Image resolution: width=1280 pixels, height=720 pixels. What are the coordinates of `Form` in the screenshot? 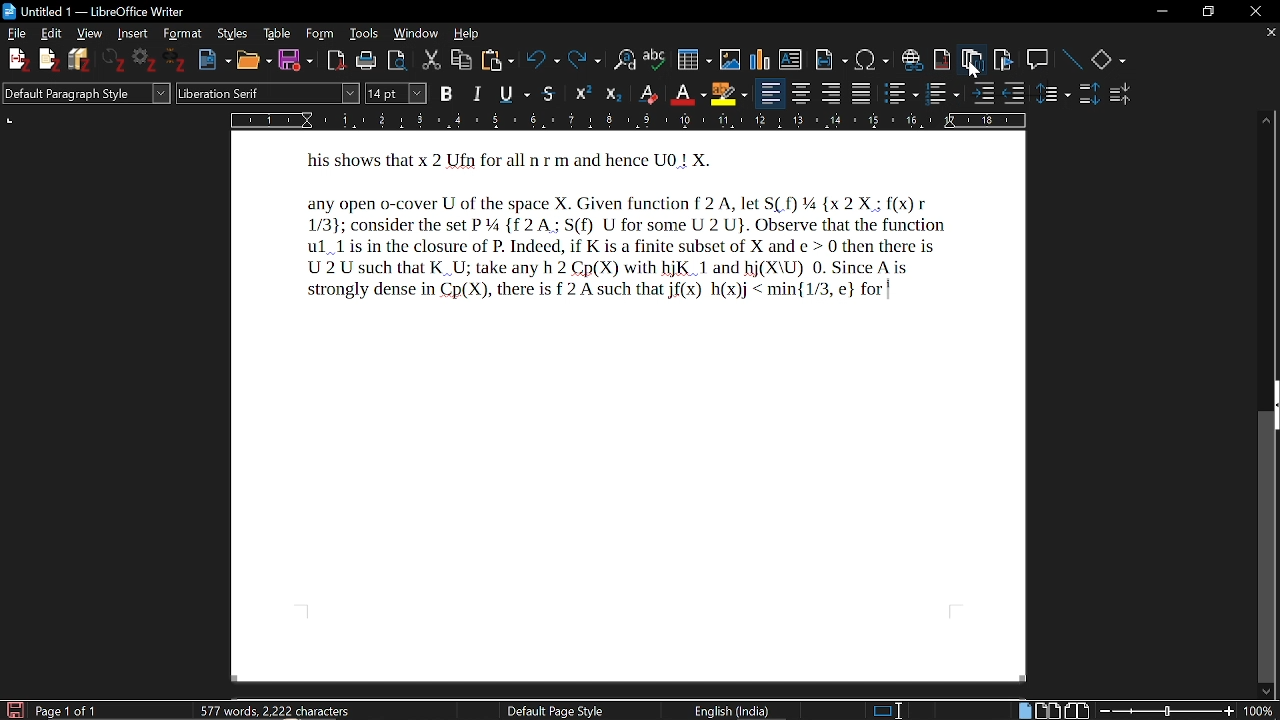 It's located at (319, 34).